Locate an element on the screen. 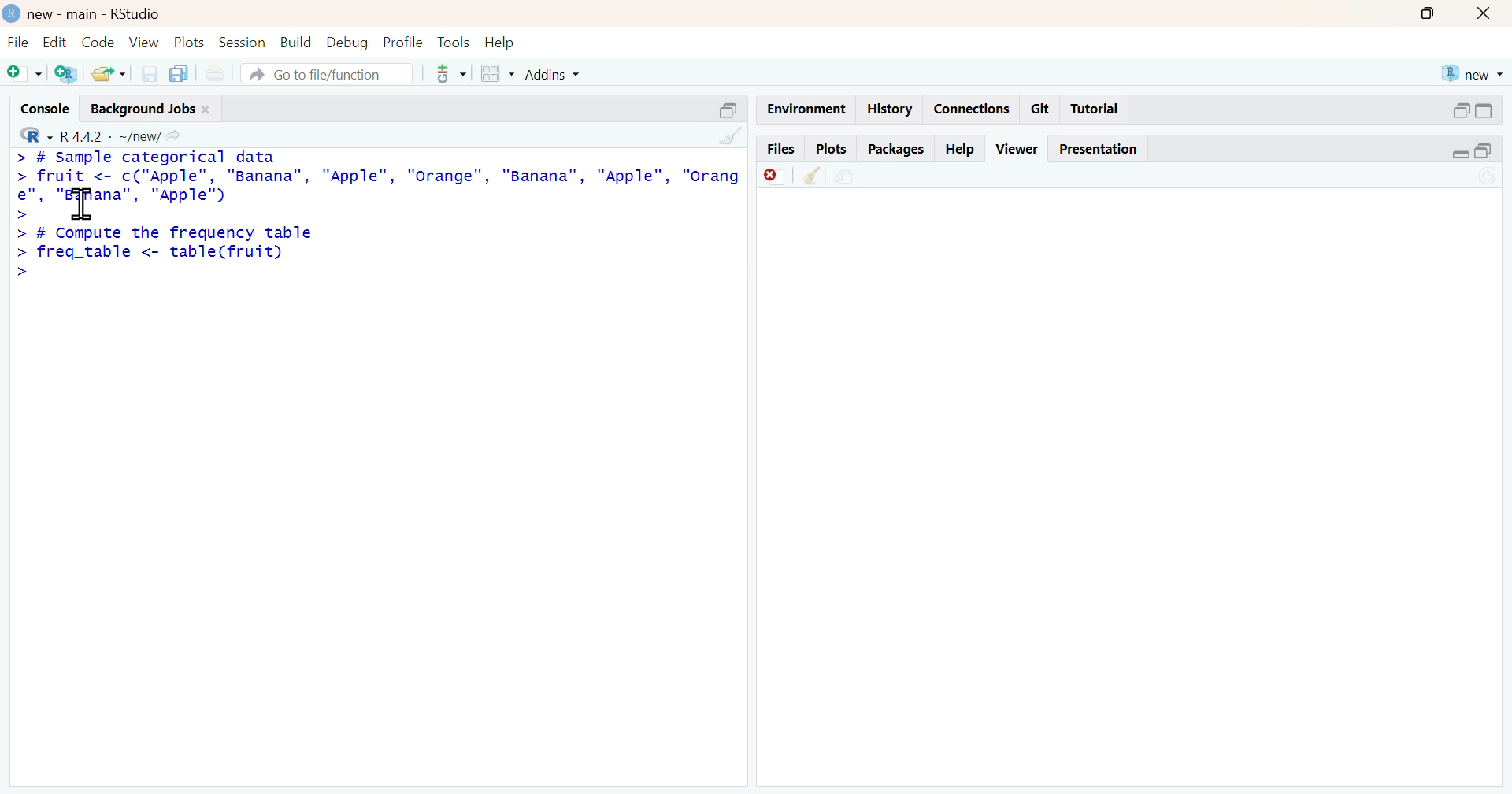  new script is located at coordinates (24, 74).